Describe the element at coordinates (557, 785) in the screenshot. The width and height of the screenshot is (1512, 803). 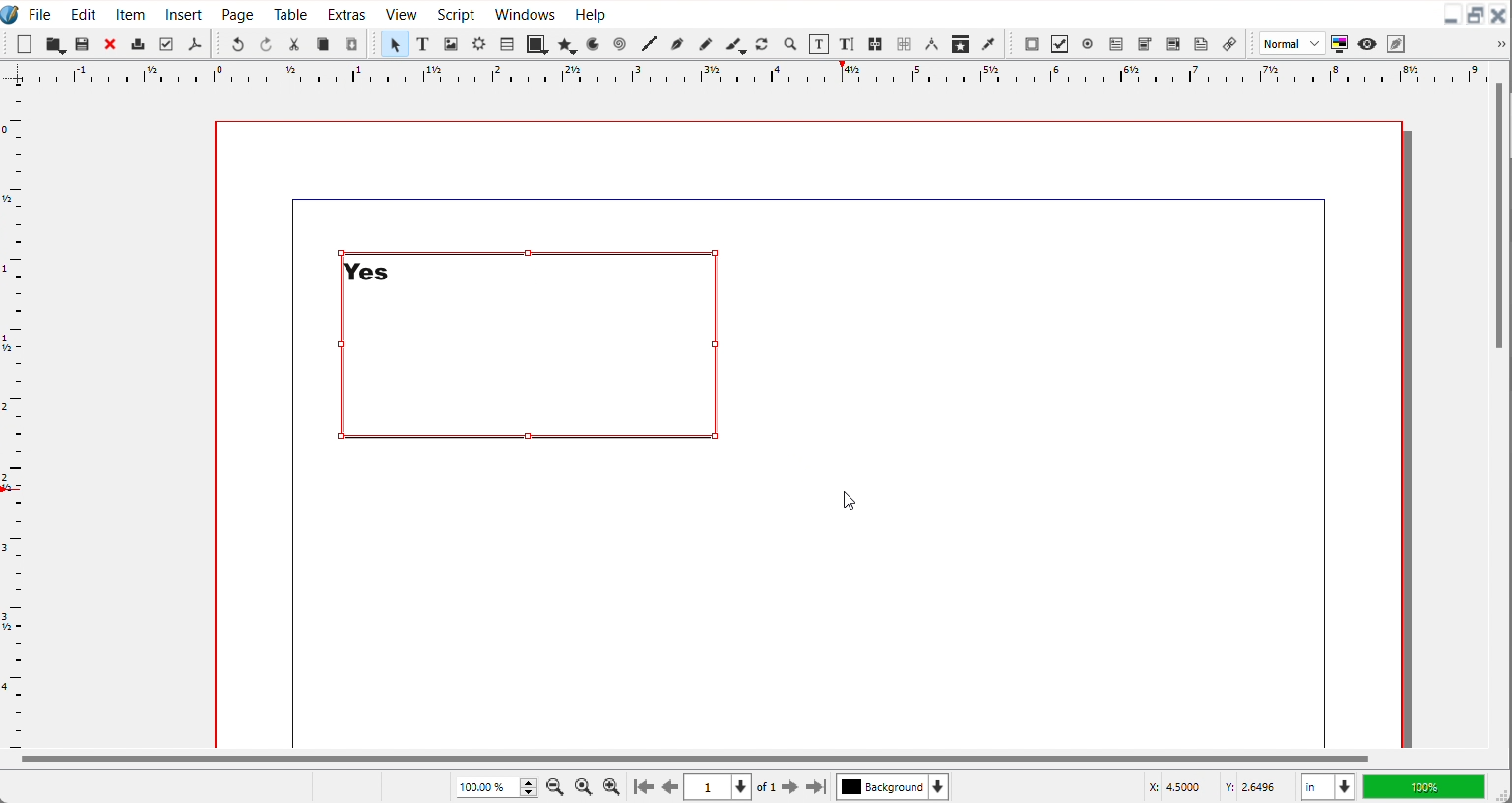
I see `Zoom Out` at that location.